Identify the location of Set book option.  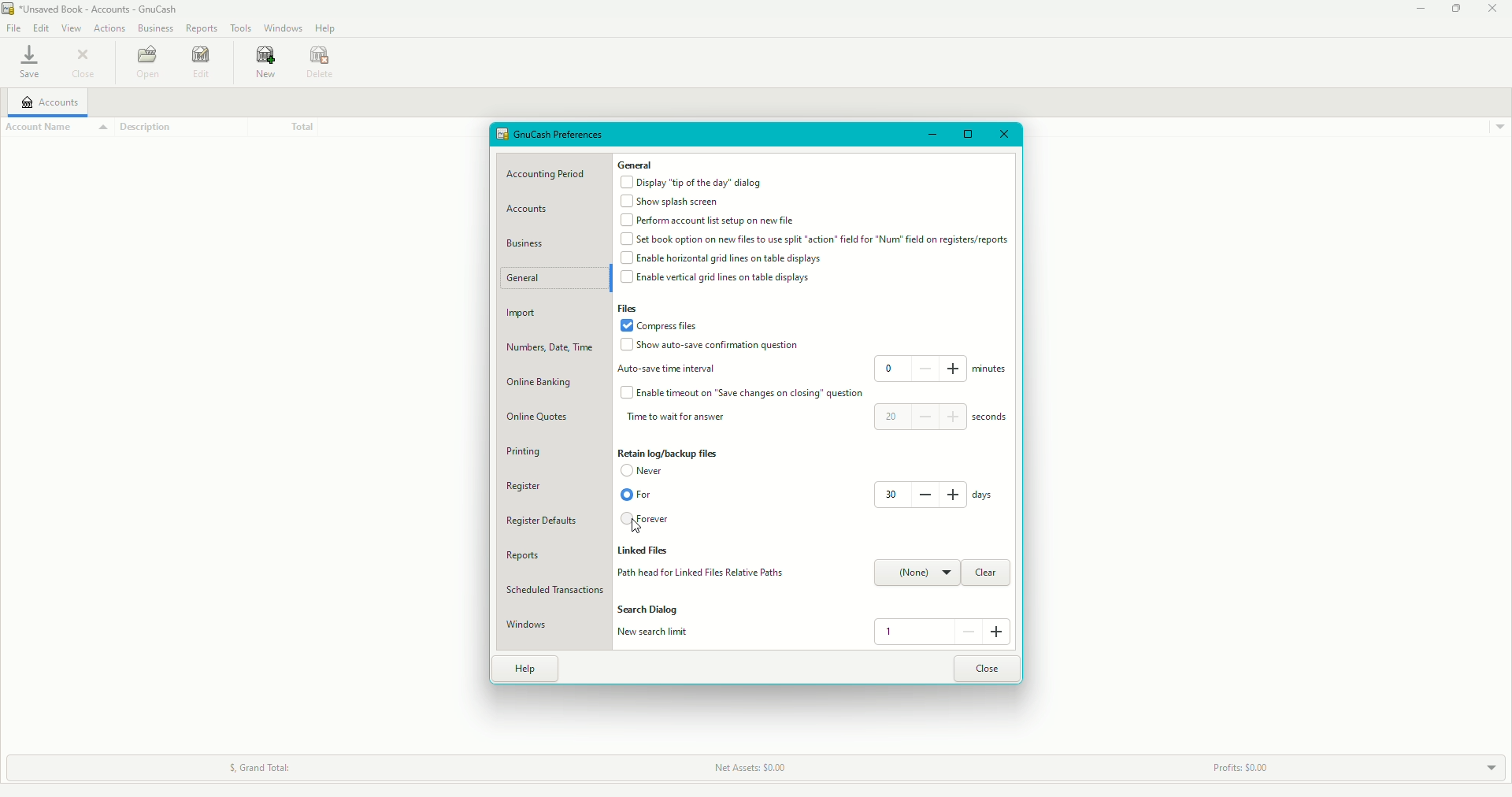
(815, 240).